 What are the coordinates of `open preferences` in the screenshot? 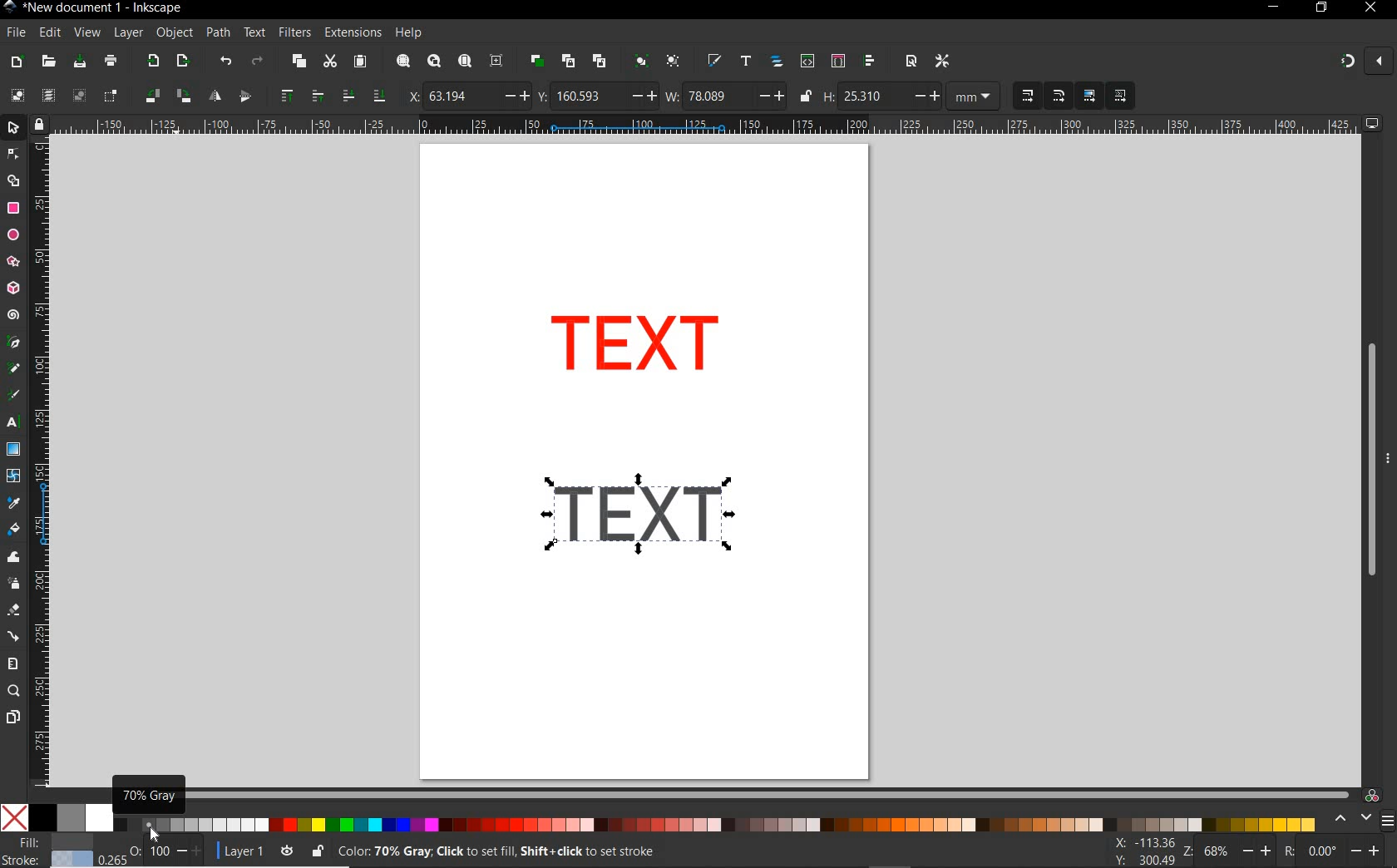 It's located at (943, 60).